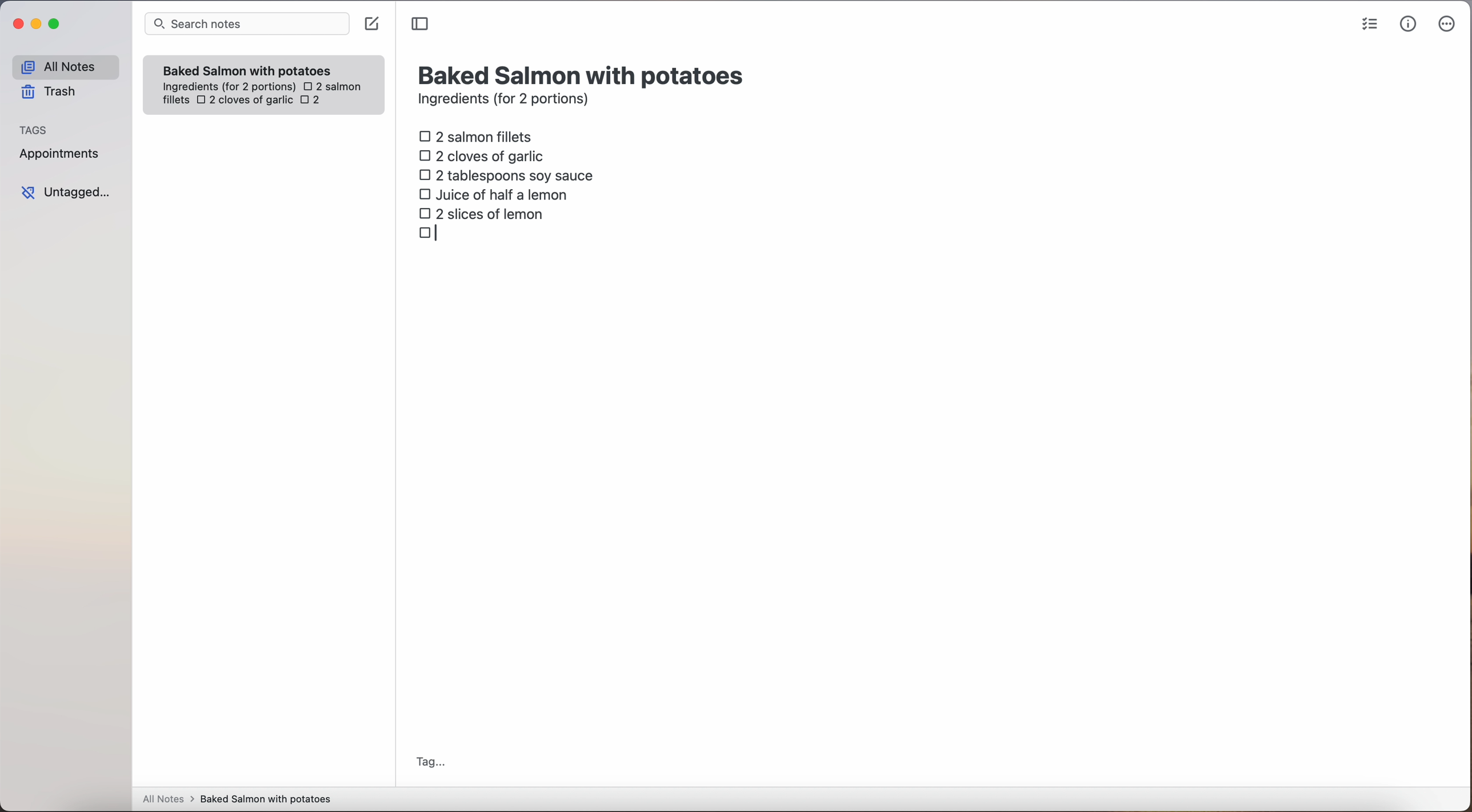  What do you see at coordinates (1409, 23) in the screenshot?
I see `metrics` at bounding box center [1409, 23].